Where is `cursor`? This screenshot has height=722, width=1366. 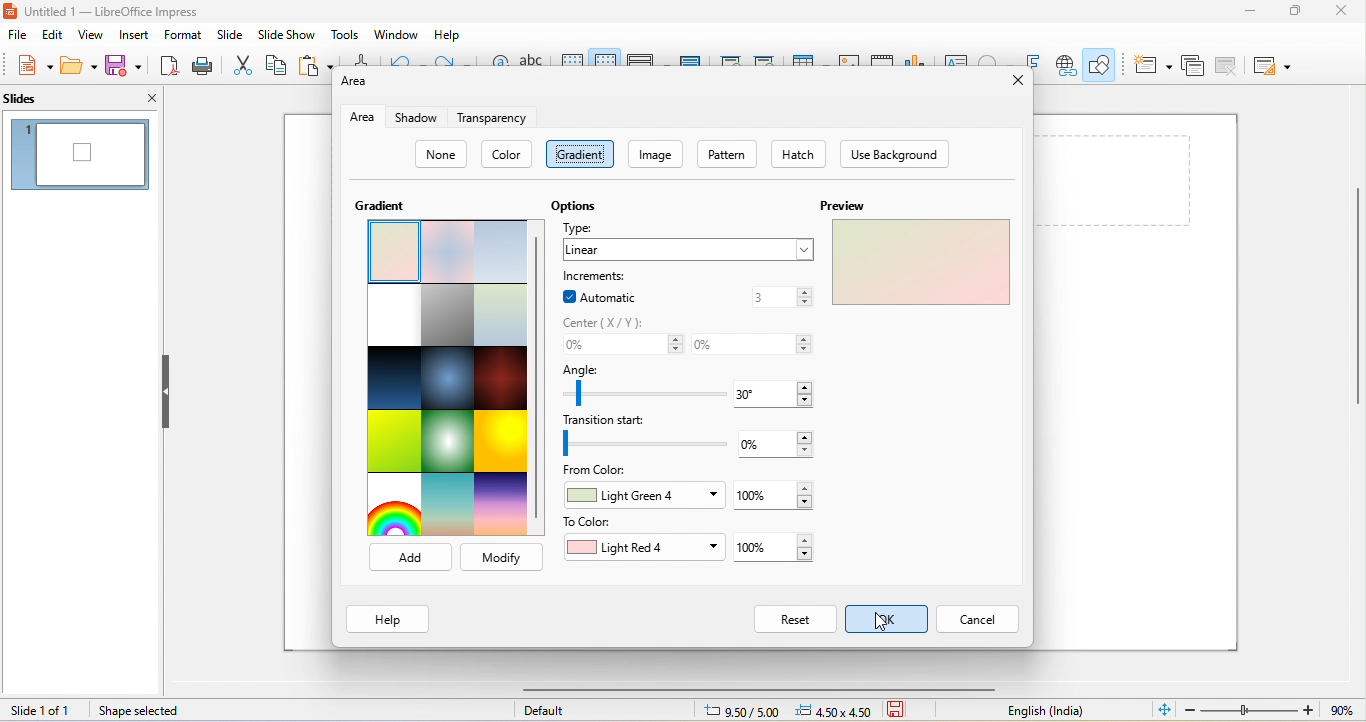 cursor is located at coordinates (889, 625).